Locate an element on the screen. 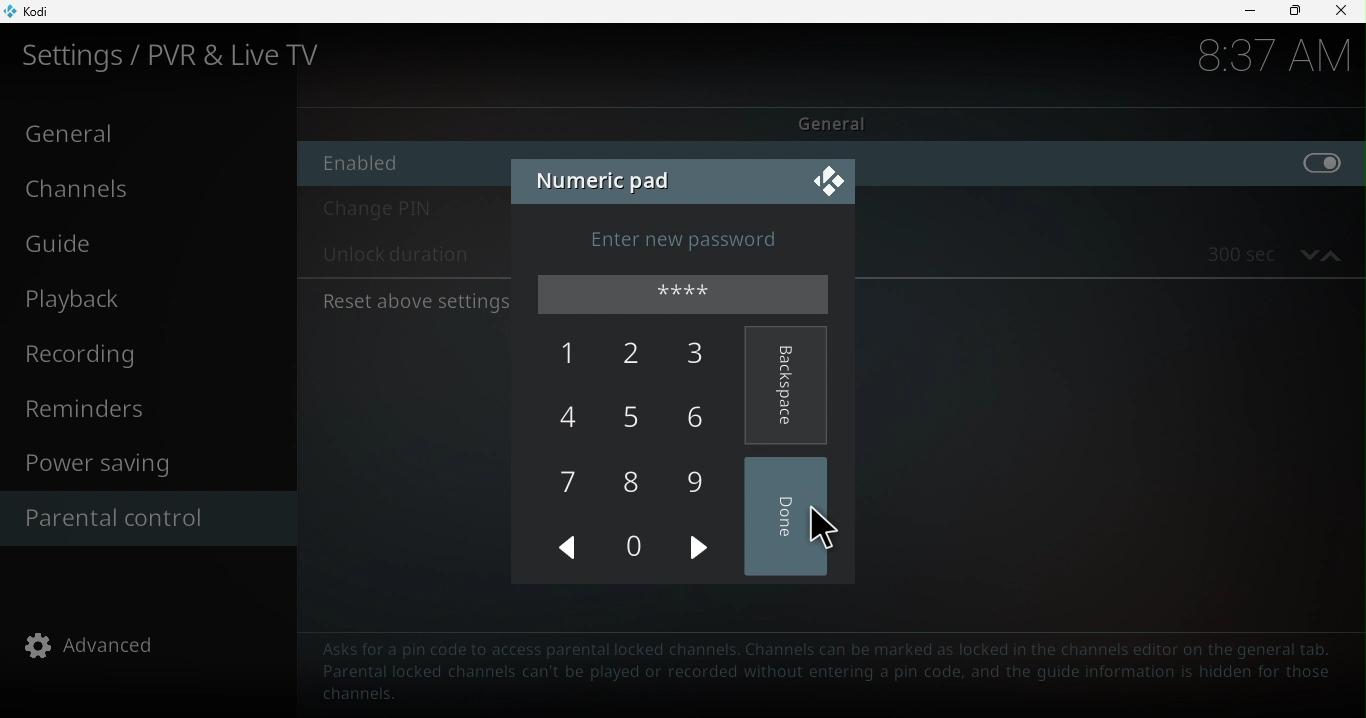 This screenshot has width=1366, height=718. Unlock duration is located at coordinates (395, 257).